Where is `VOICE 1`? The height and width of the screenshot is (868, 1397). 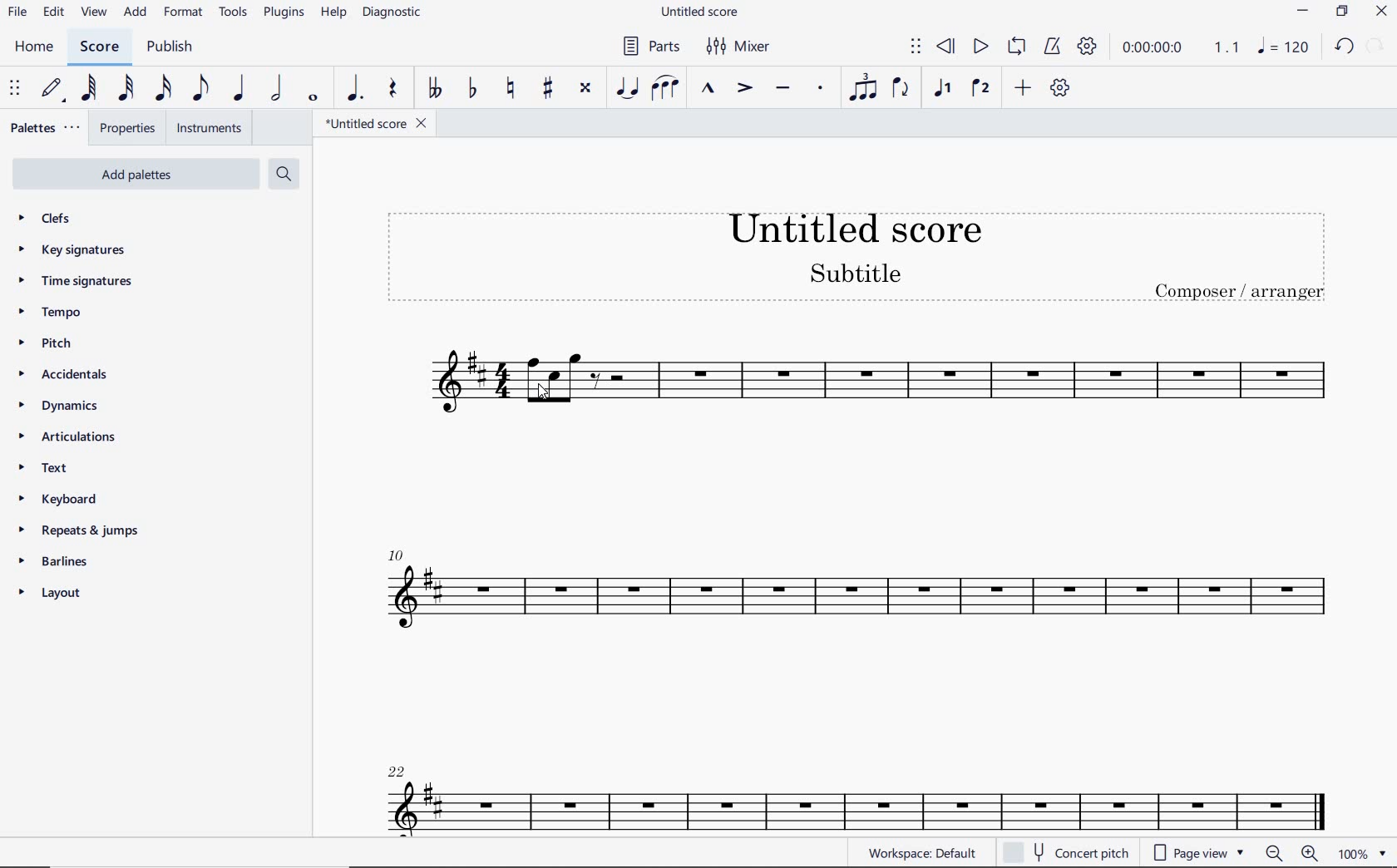 VOICE 1 is located at coordinates (943, 89).